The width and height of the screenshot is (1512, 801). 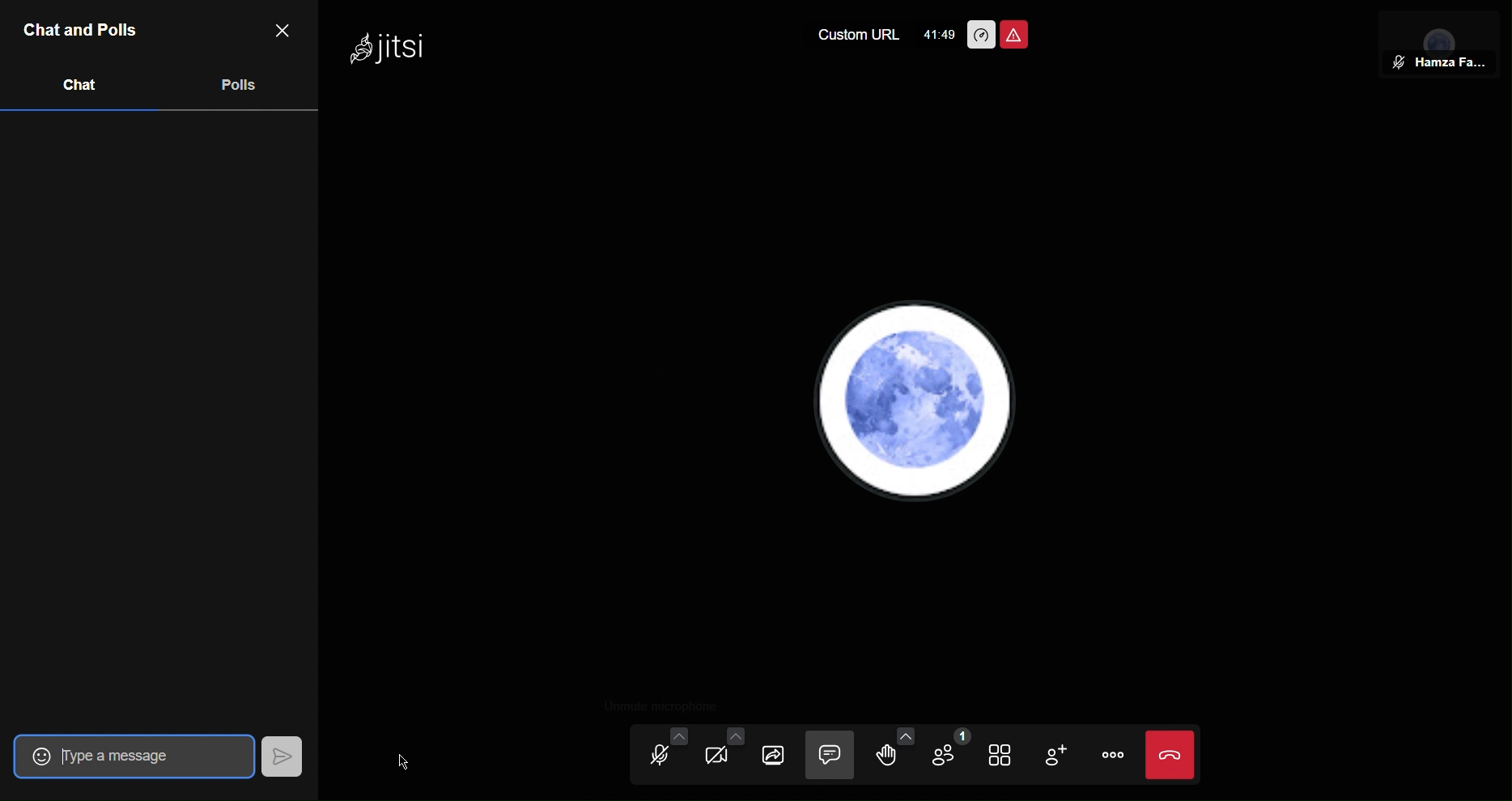 I want to click on Send, so click(x=286, y=756).